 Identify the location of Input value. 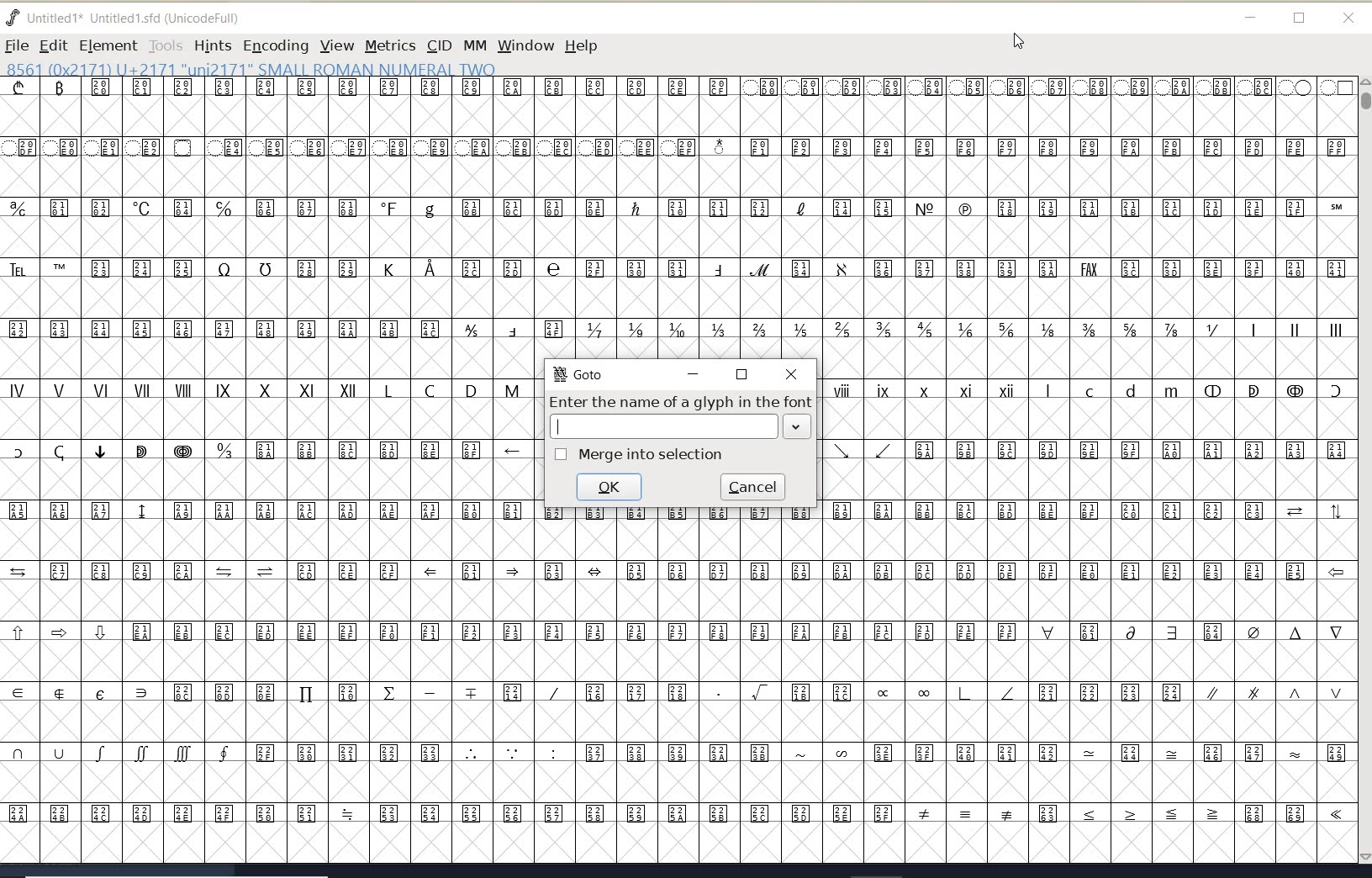
(663, 426).